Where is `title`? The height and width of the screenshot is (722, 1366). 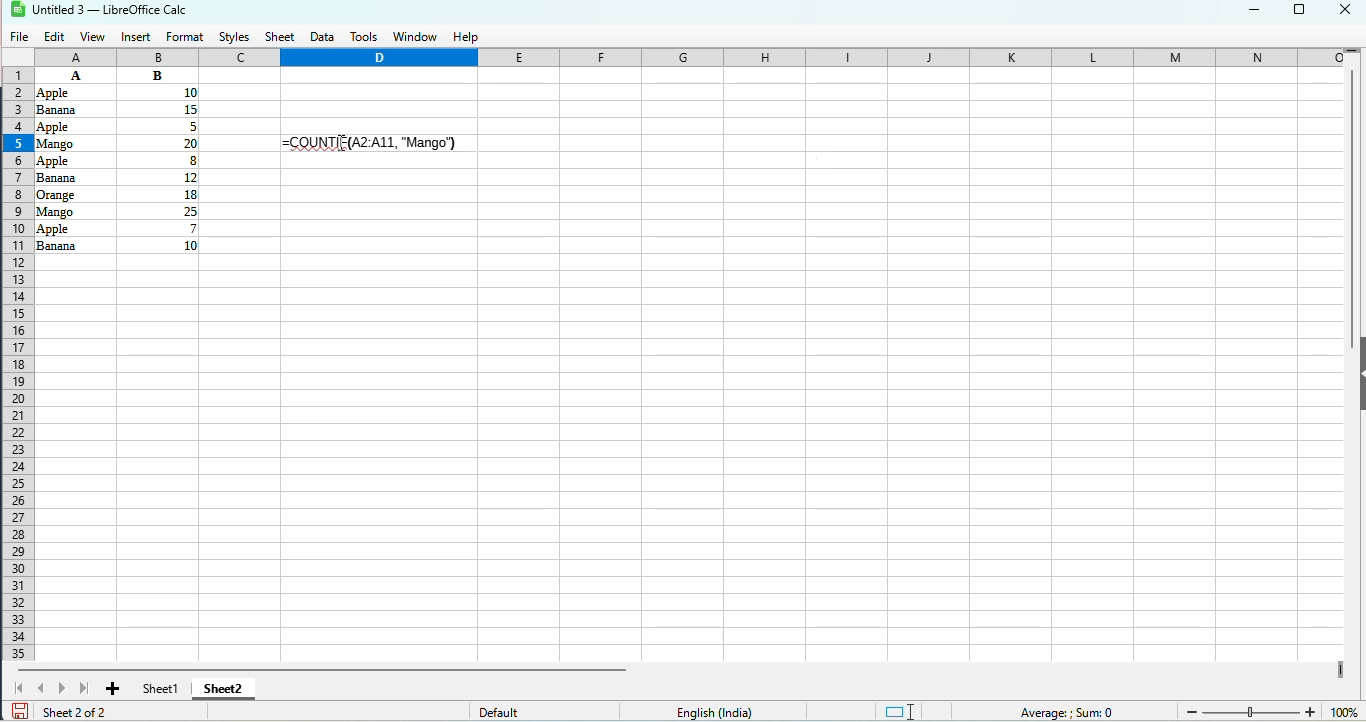
title is located at coordinates (111, 10).